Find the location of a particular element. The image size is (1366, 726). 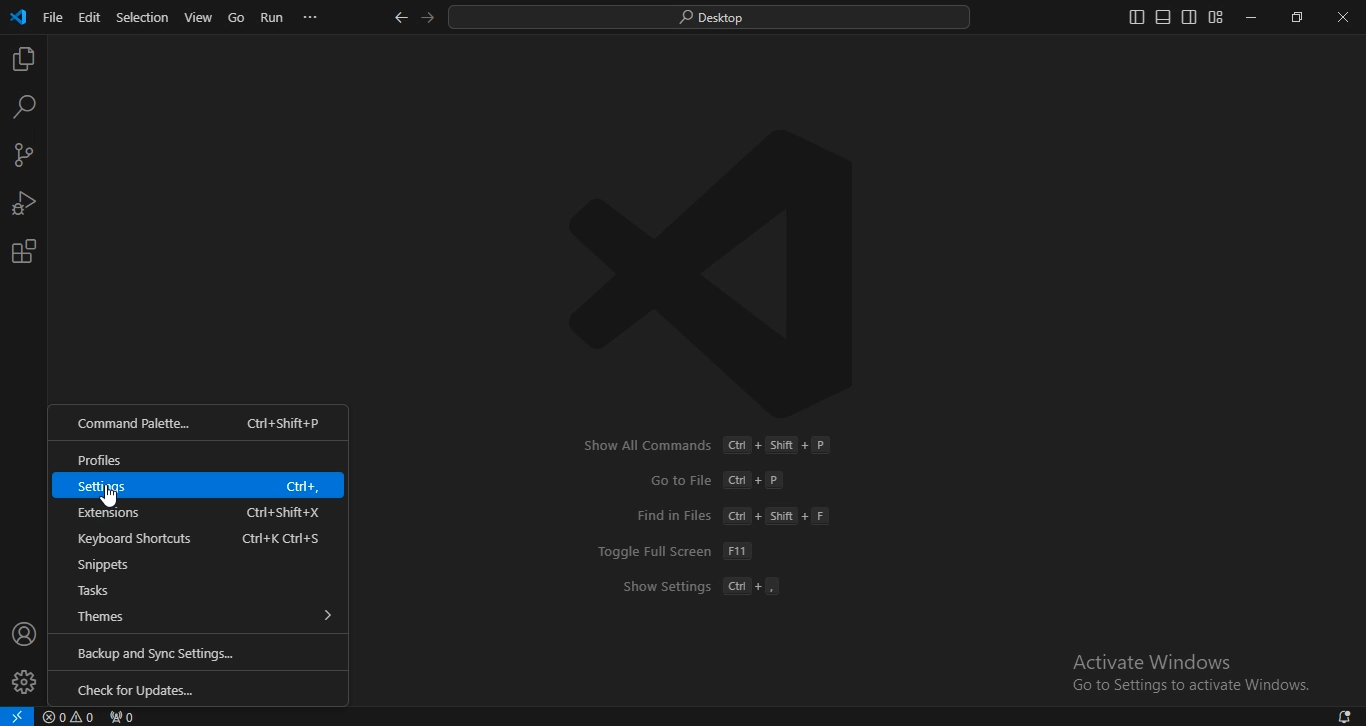

no problems is located at coordinates (70, 716).